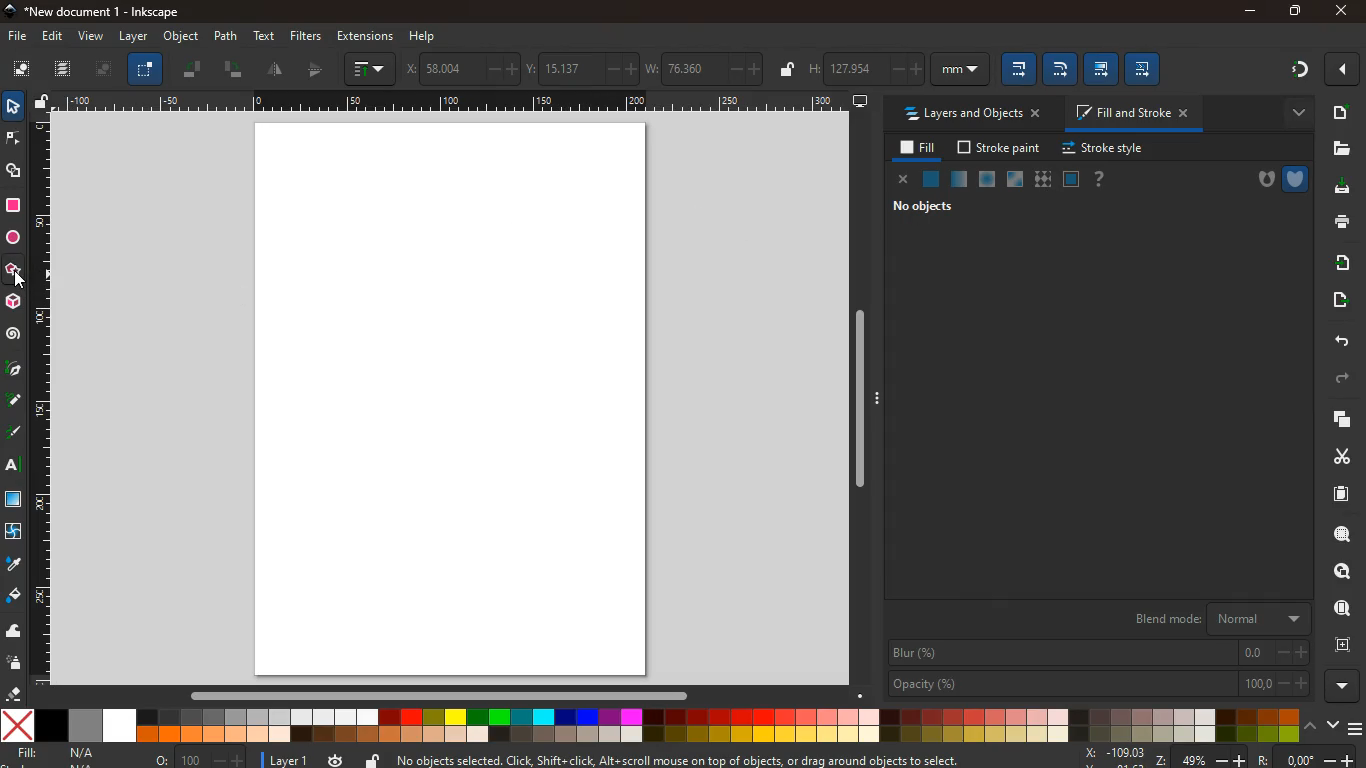 The width and height of the screenshot is (1366, 768). What do you see at coordinates (989, 180) in the screenshot?
I see `ice` at bounding box center [989, 180].